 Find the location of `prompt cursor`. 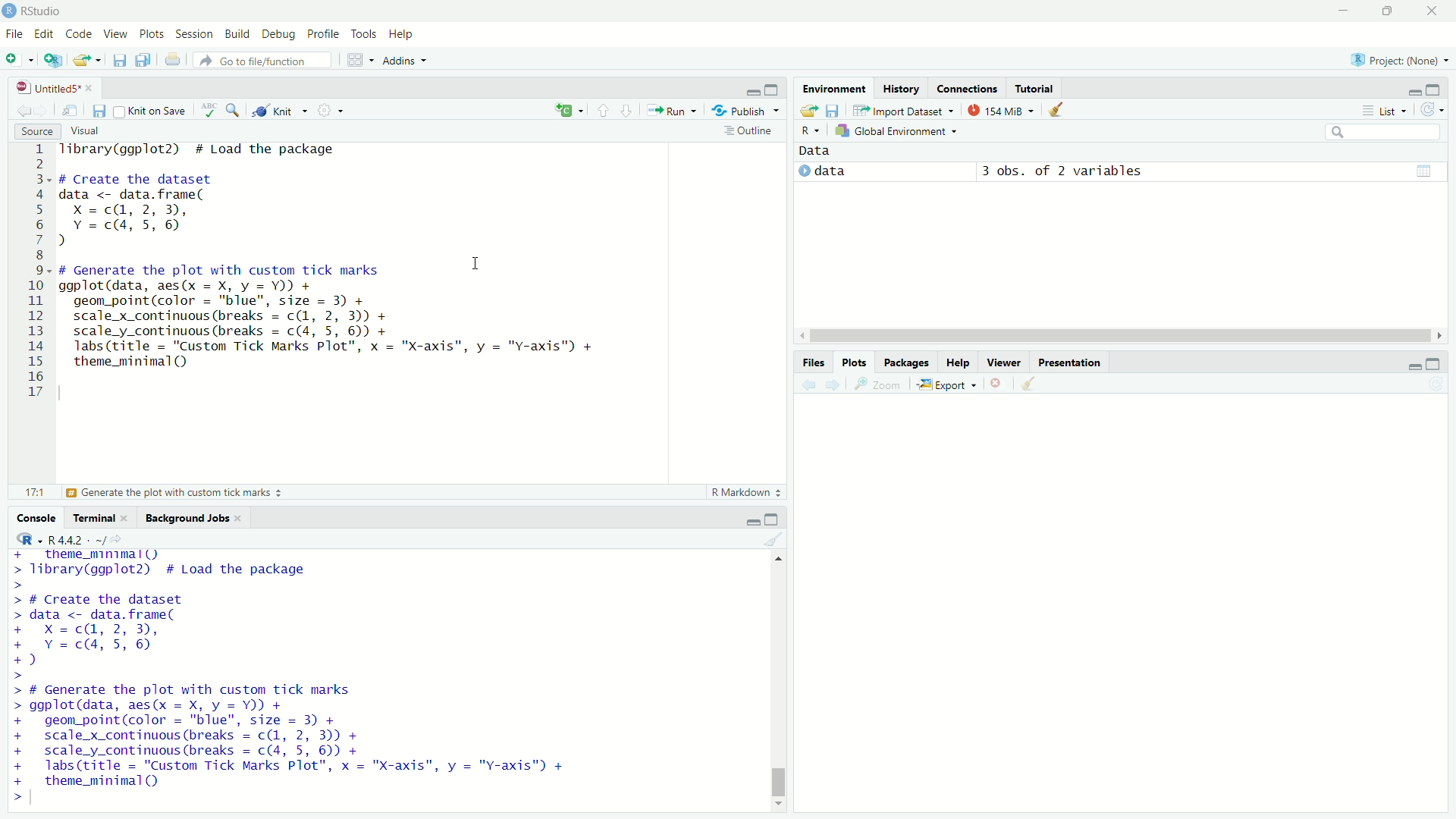

prompt cursor is located at coordinates (12, 799).